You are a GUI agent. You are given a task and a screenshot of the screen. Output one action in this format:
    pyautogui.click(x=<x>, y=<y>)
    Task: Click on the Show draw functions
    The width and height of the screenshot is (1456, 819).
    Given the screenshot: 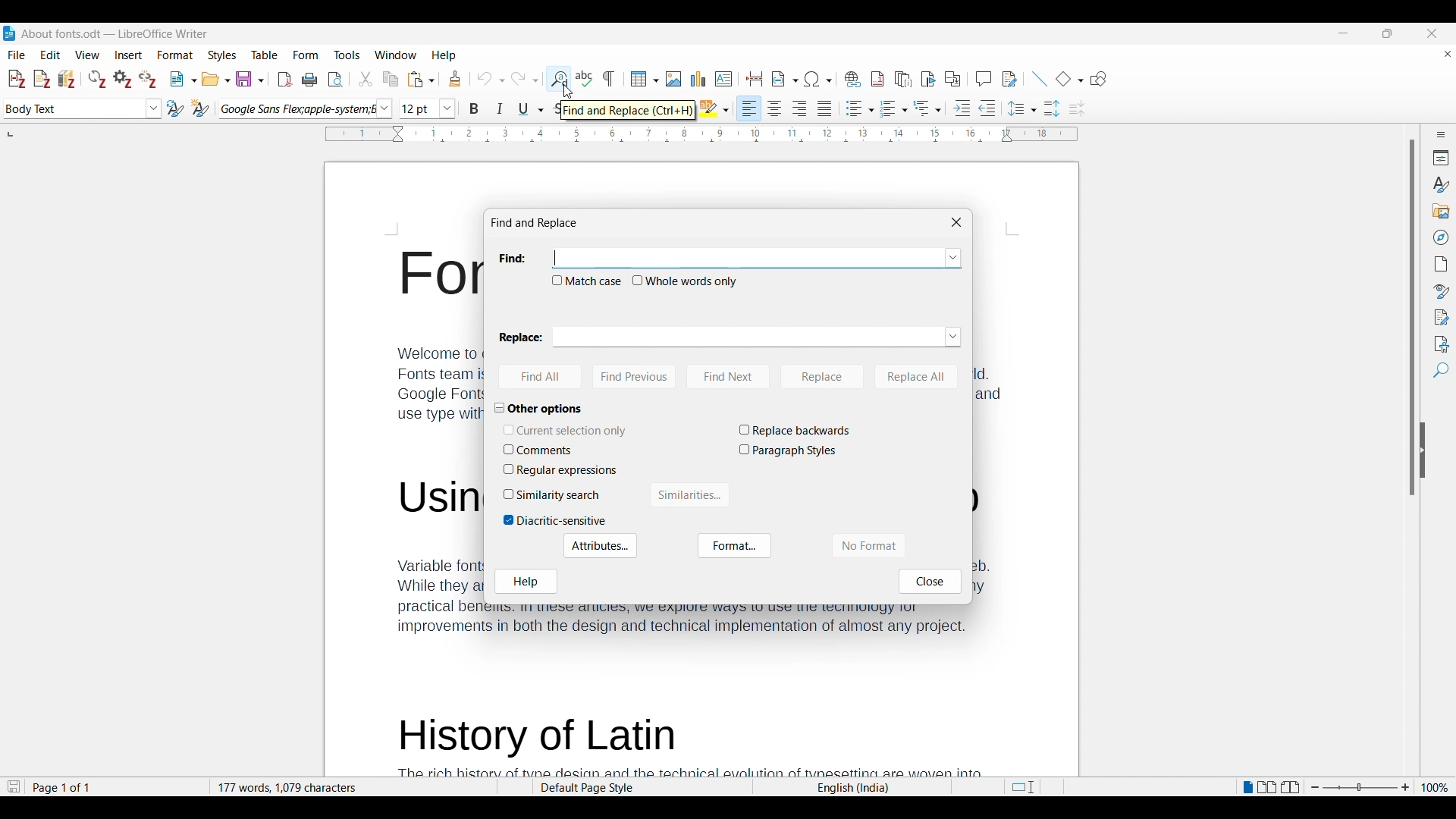 What is the action you would take?
    pyautogui.click(x=1099, y=79)
    